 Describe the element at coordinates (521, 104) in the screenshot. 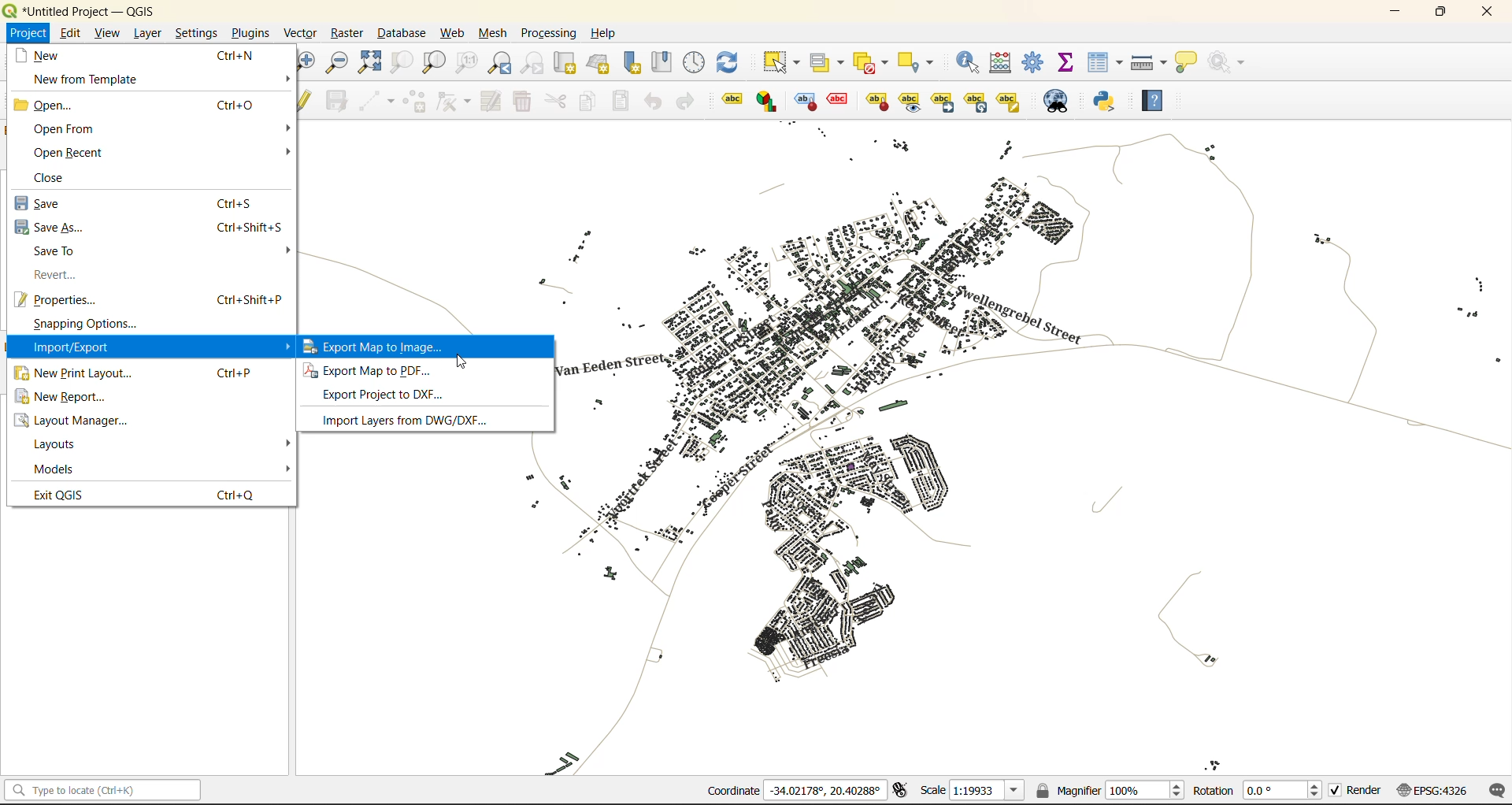

I see `delete` at that location.